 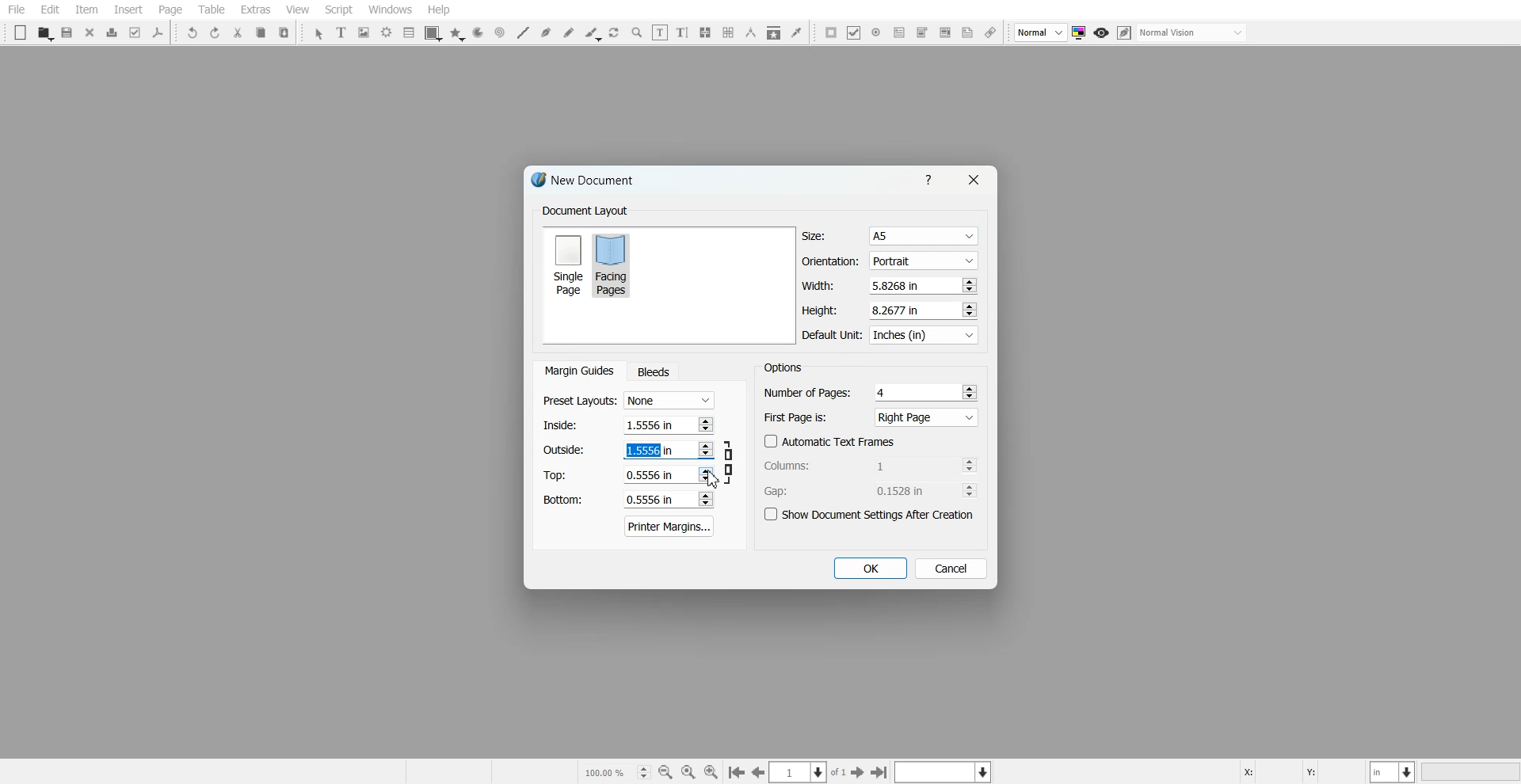 What do you see at coordinates (860, 772) in the screenshot?
I see `Go to the First page` at bounding box center [860, 772].